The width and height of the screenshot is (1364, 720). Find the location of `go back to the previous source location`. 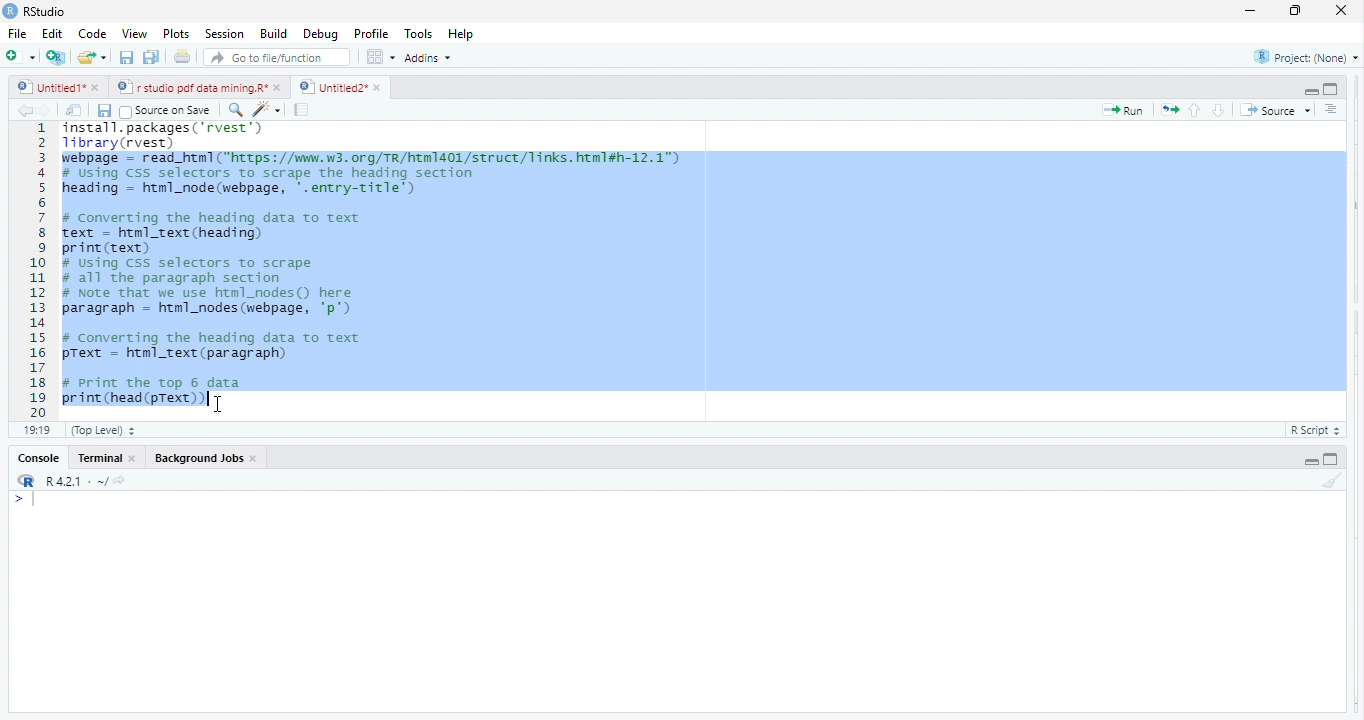

go back to the previous source location is located at coordinates (25, 110).